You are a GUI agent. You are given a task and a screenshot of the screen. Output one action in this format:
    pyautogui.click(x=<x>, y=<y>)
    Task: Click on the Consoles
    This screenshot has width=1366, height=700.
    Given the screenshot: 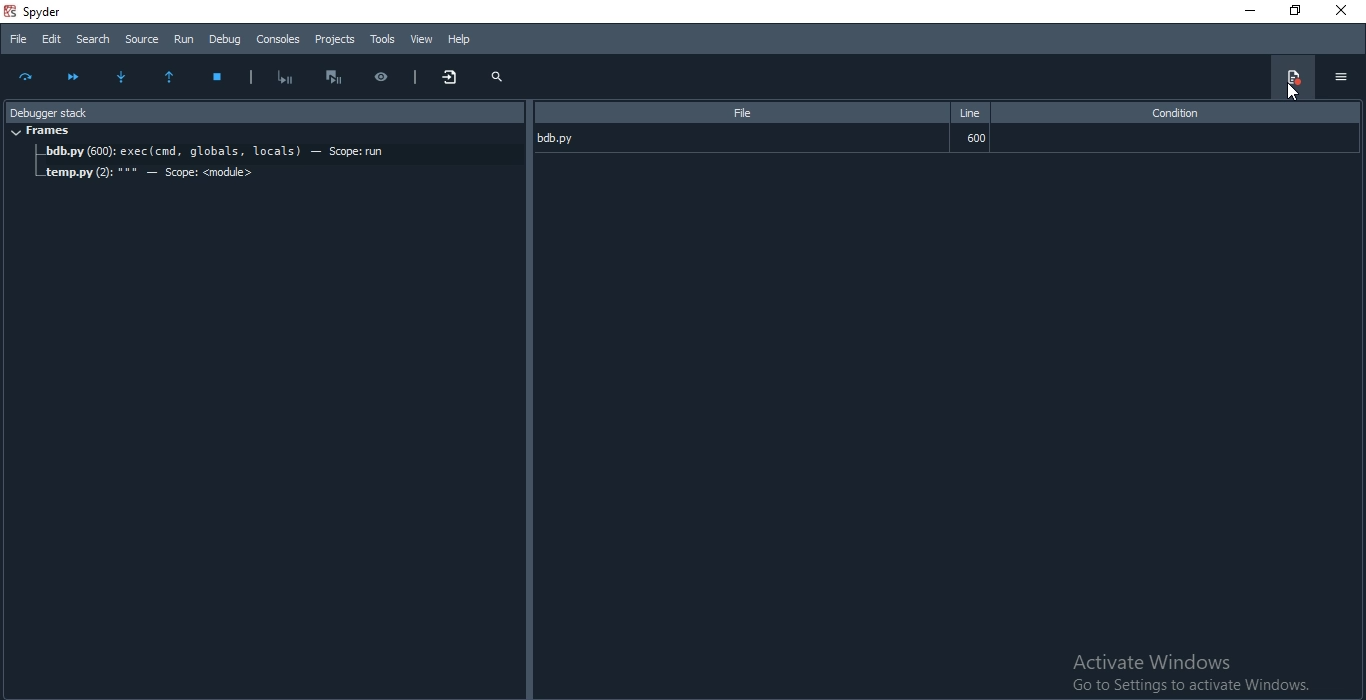 What is the action you would take?
    pyautogui.click(x=279, y=39)
    